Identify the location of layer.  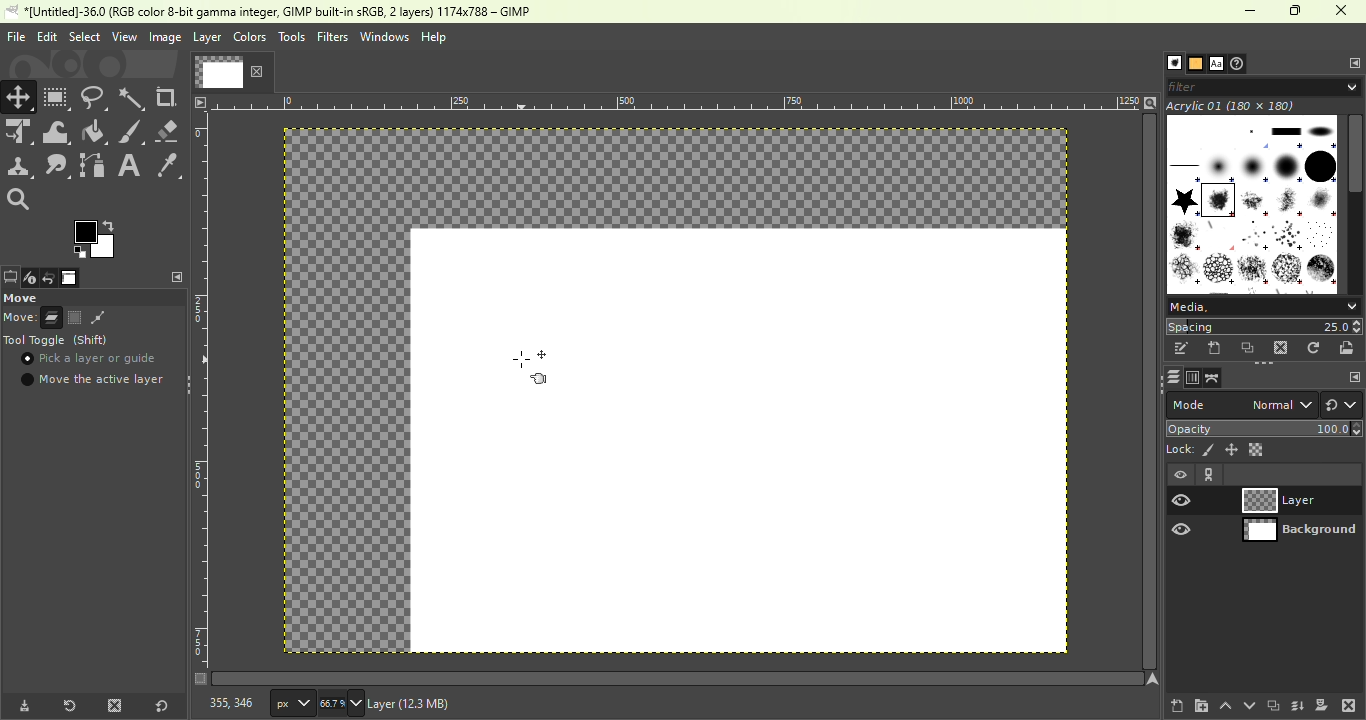
(207, 40).